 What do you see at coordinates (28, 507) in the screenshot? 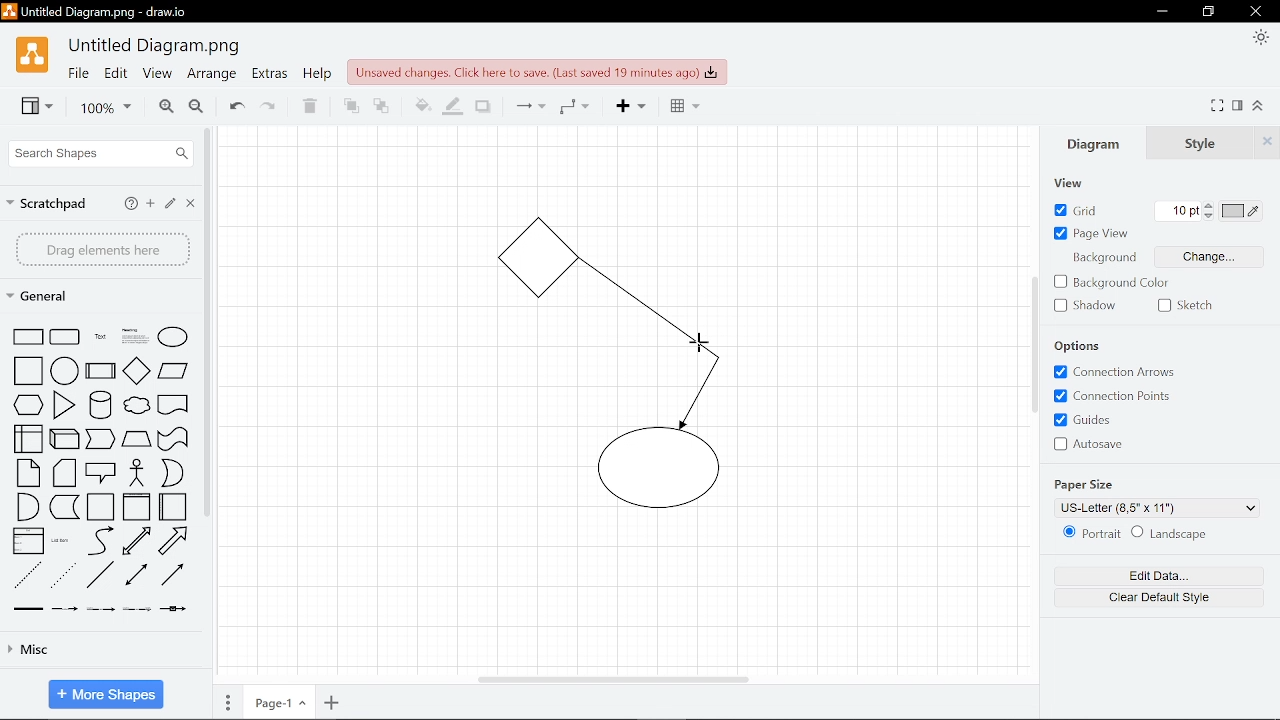
I see `shape` at bounding box center [28, 507].